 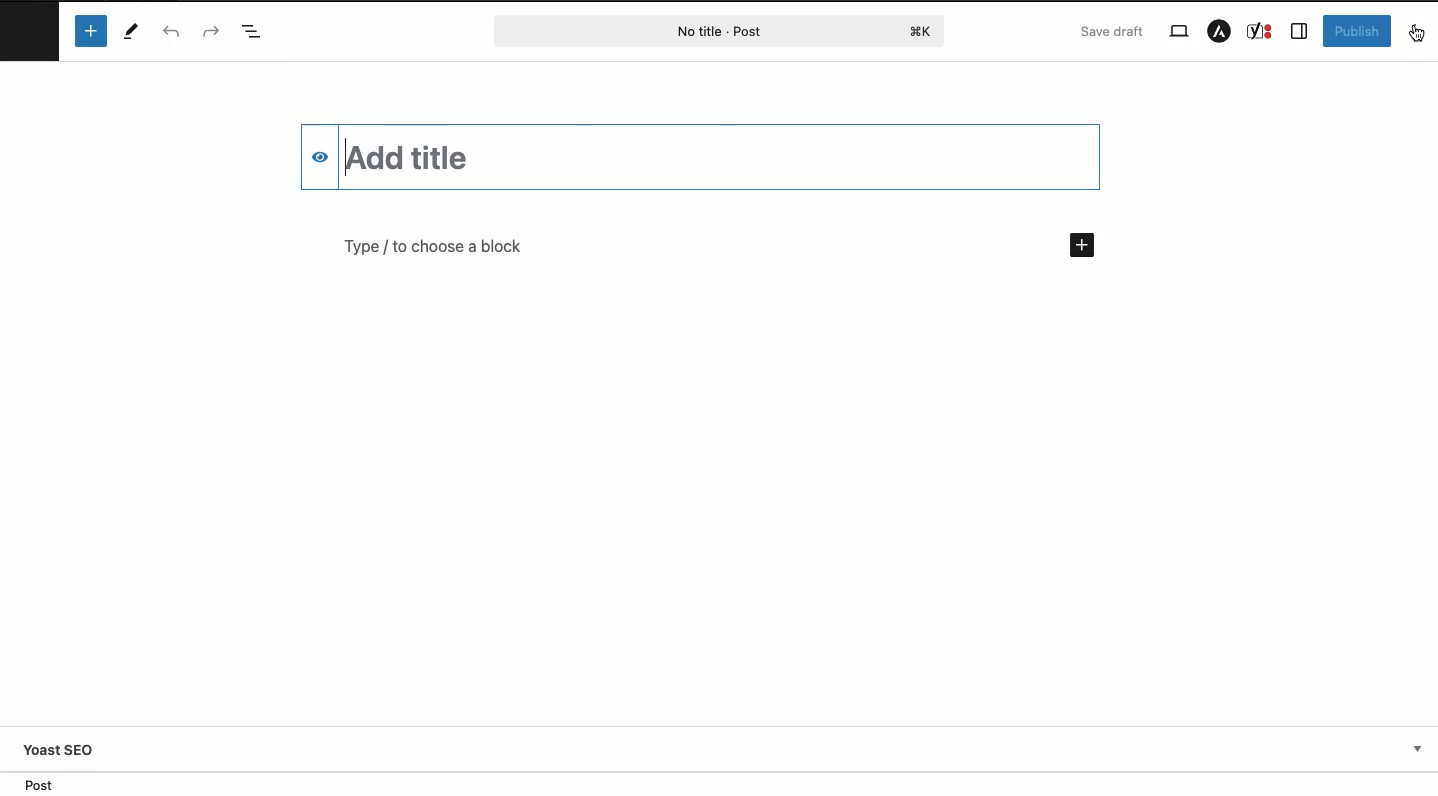 I want to click on Doc overview, so click(x=256, y=33).